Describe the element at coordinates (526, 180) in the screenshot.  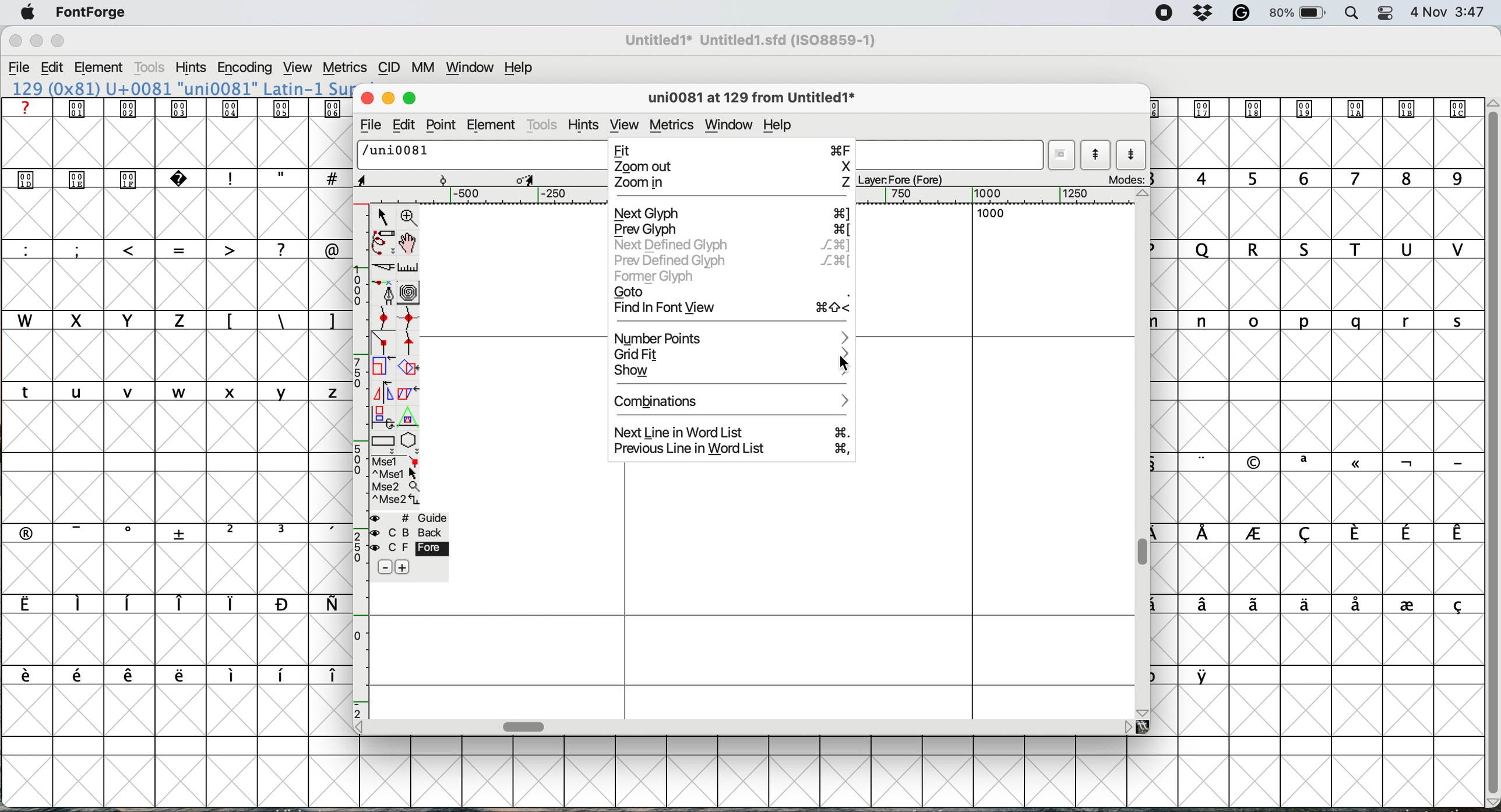
I see `Scale/Transform Tool` at that location.